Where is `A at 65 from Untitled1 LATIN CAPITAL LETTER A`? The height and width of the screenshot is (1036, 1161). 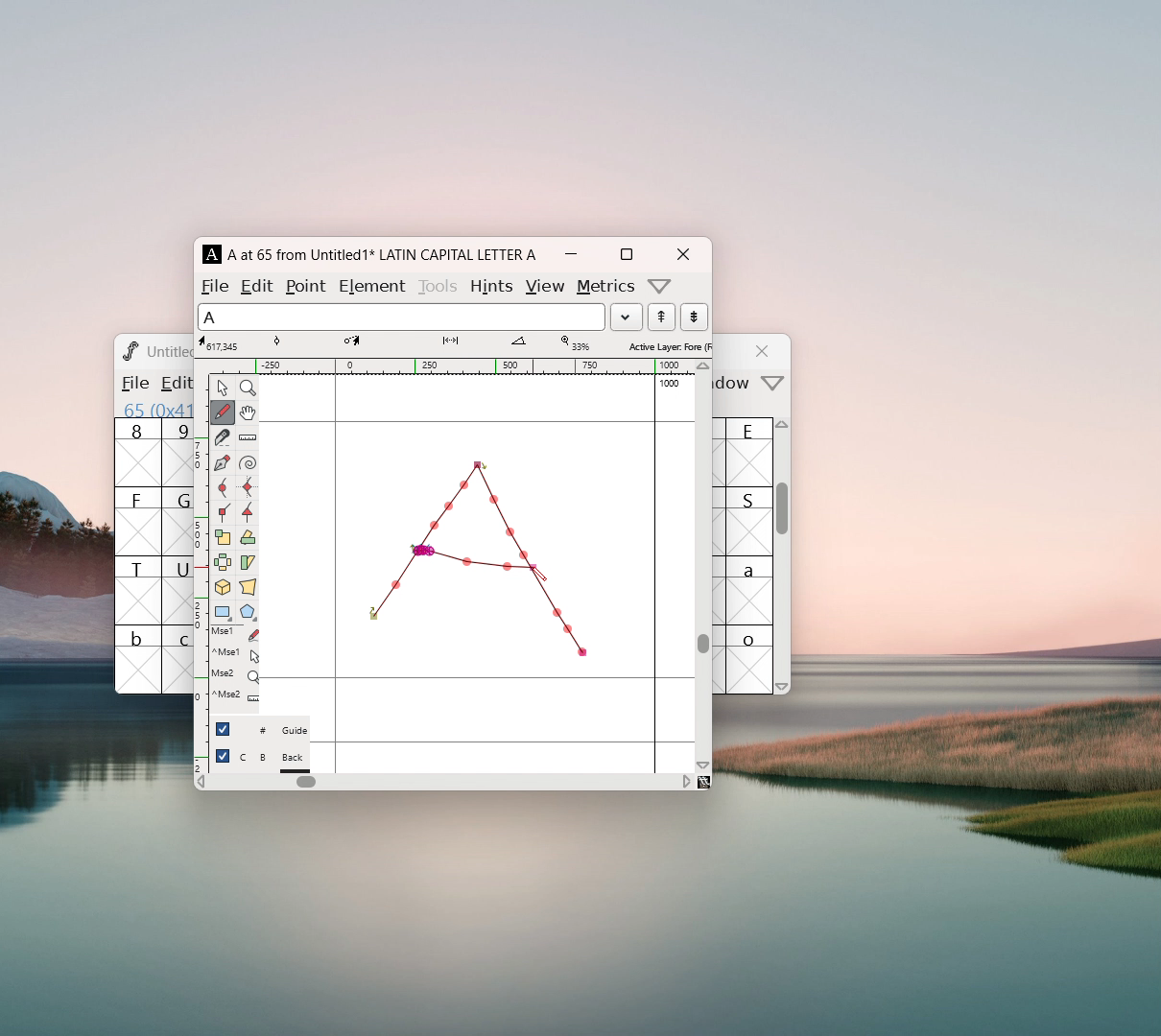 A at 65 from Untitled1 LATIN CAPITAL LETTER A is located at coordinates (379, 254).